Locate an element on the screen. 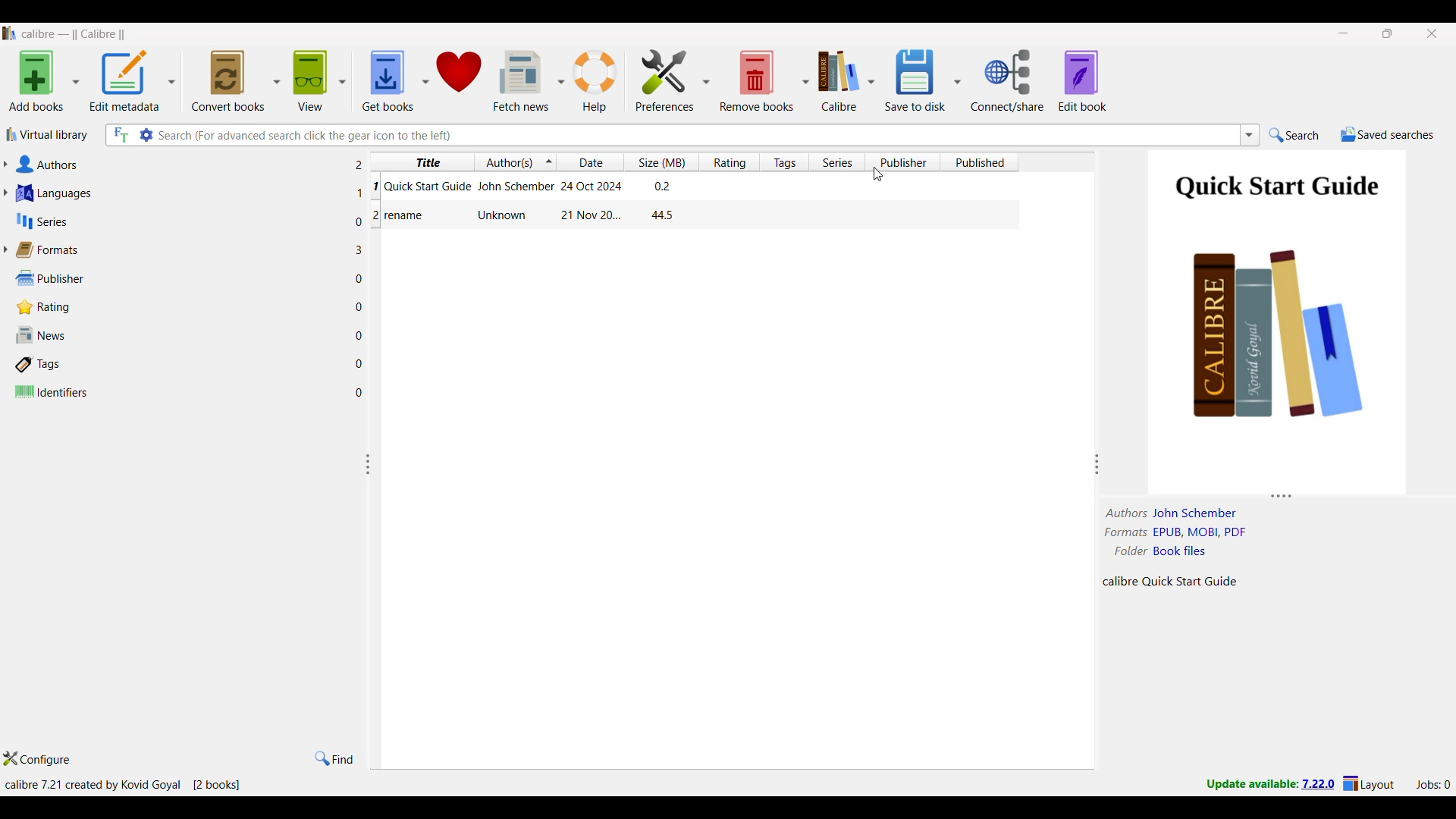 The image size is (1456, 819). Publisher column is located at coordinates (902, 162).